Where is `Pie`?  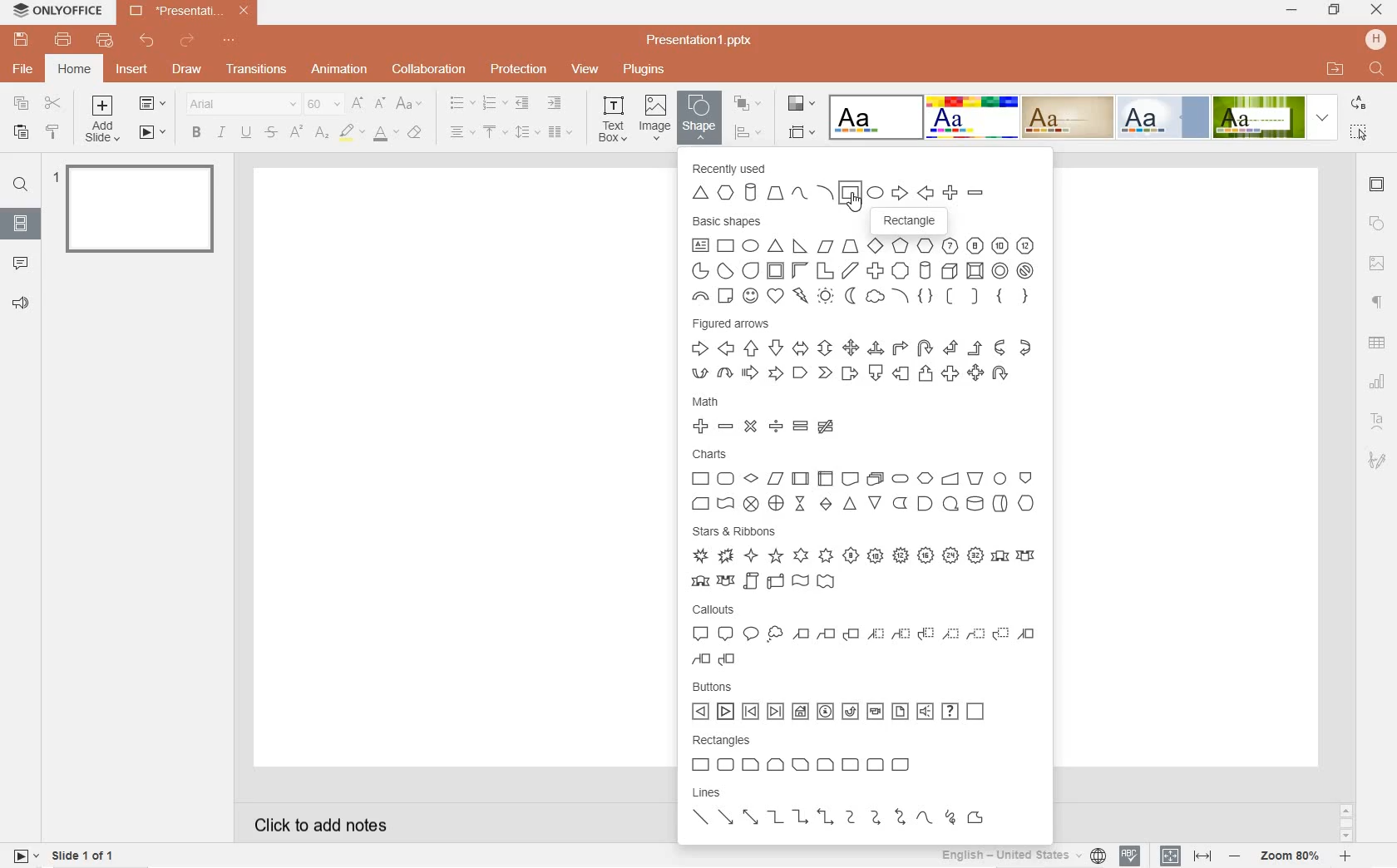
Pie is located at coordinates (700, 269).